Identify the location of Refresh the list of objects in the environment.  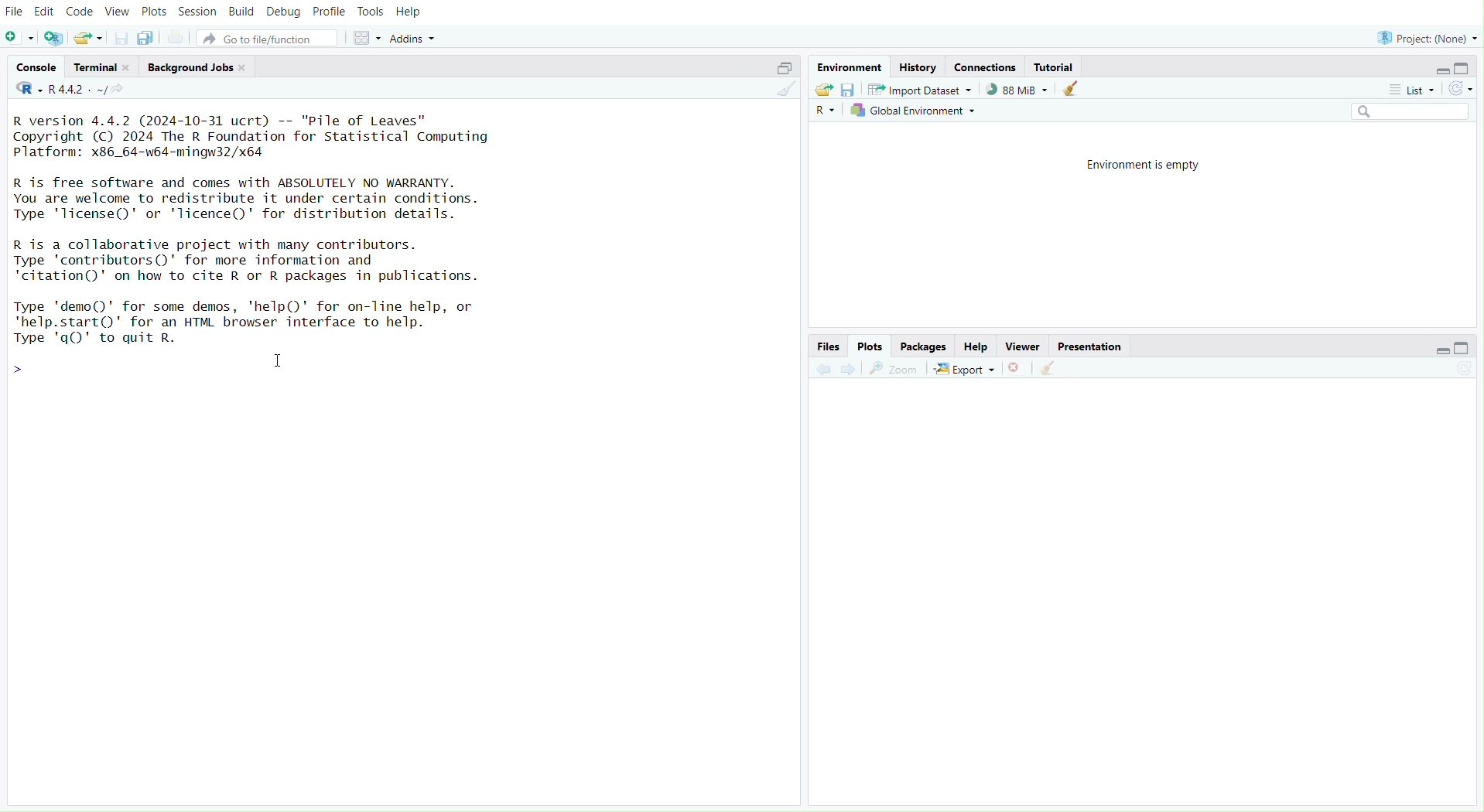
(1463, 88).